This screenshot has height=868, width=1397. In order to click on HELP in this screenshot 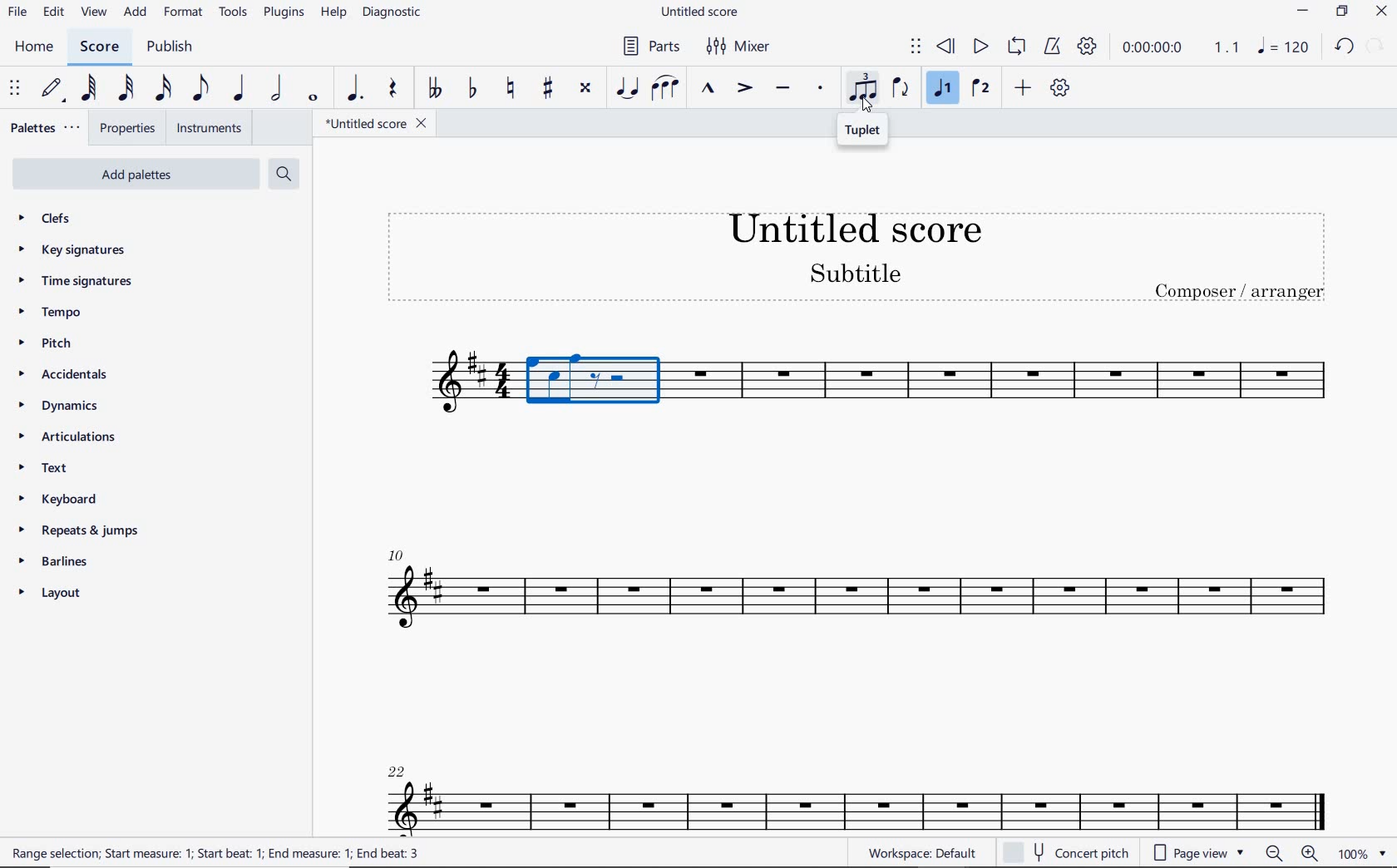, I will do `click(333, 14)`.